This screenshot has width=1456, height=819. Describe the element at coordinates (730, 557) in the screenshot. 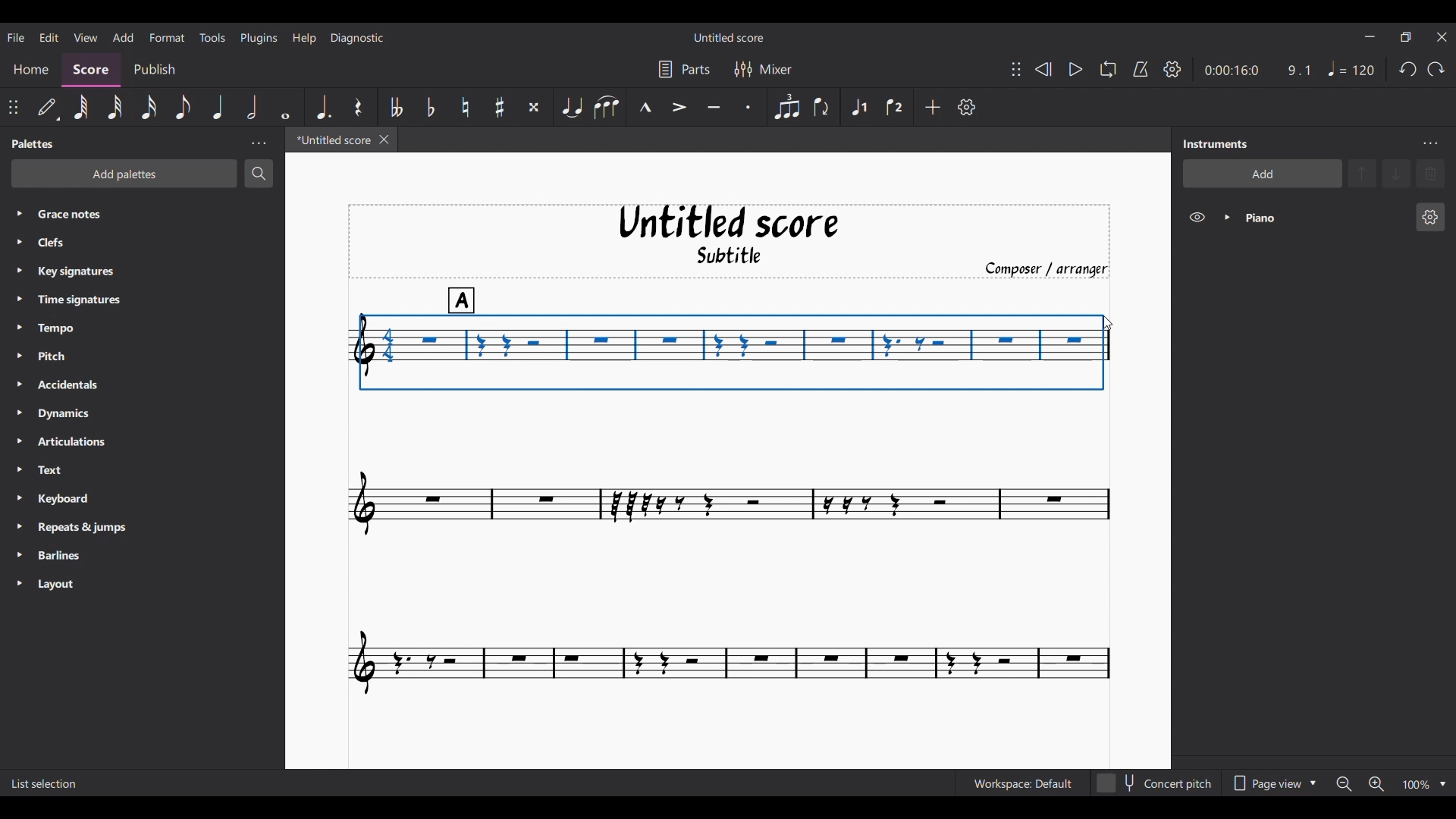

I see `Current score` at that location.